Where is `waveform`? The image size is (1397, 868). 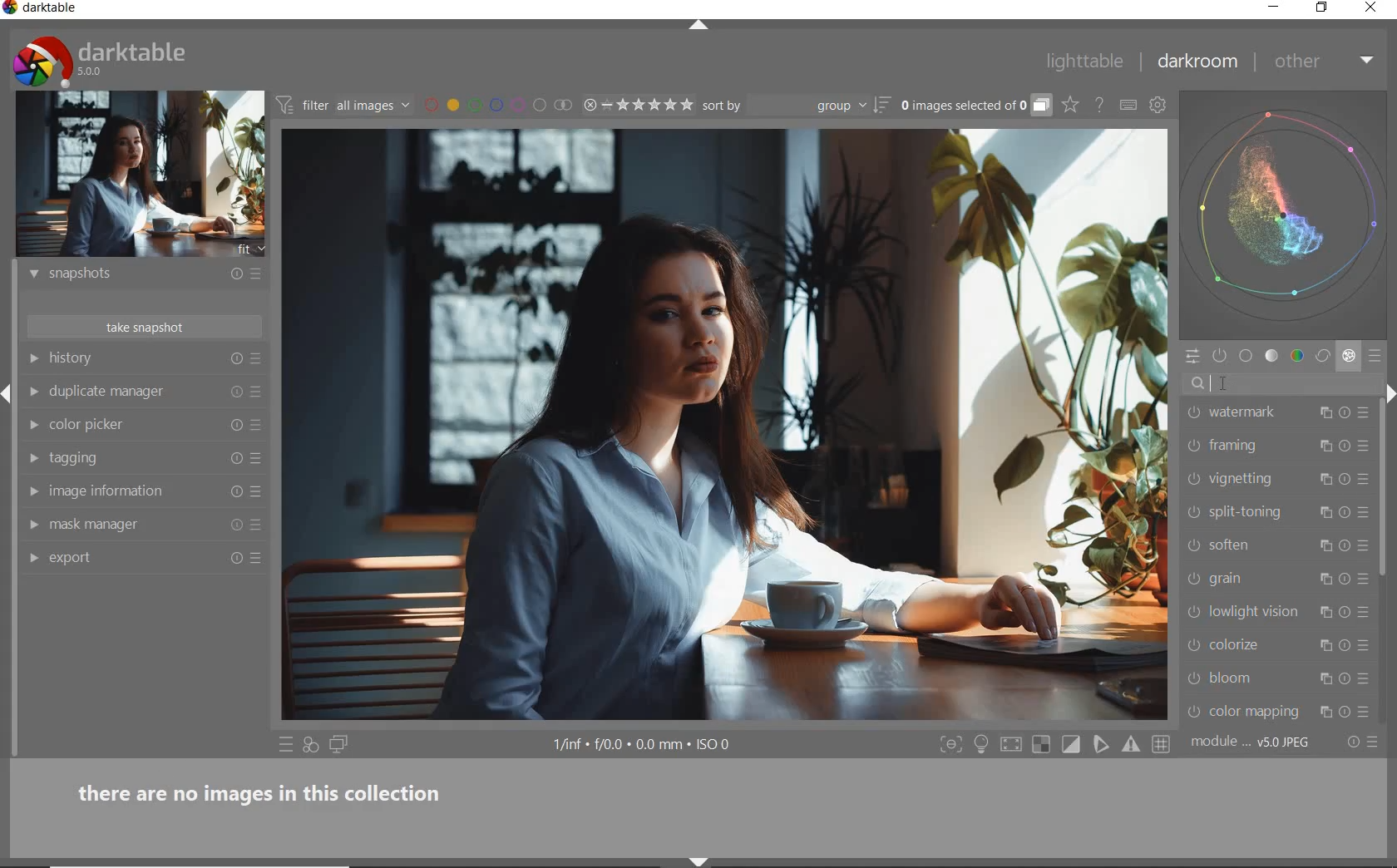
waveform is located at coordinates (1284, 214).